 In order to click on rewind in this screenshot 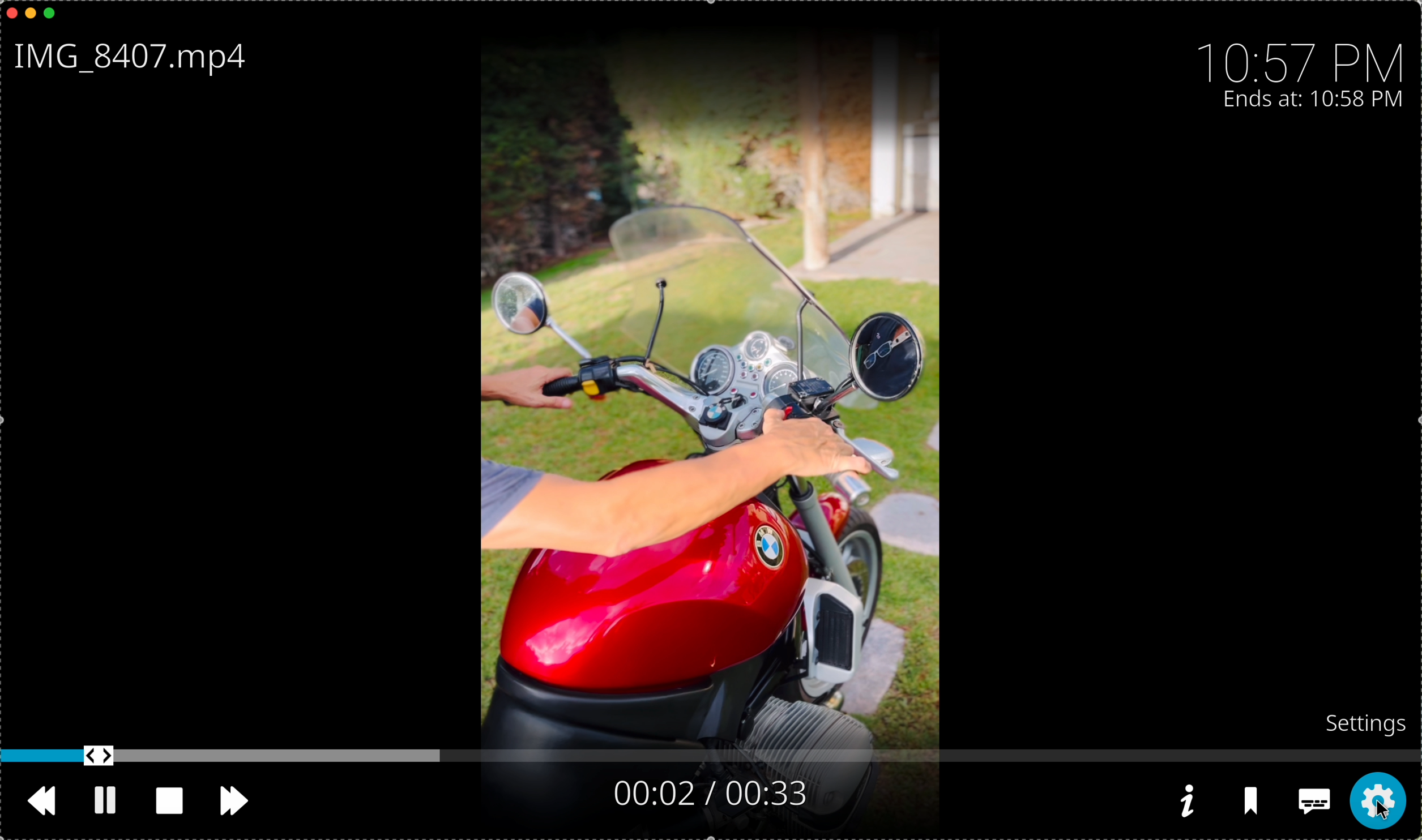, I will do `click(46, 806)`.